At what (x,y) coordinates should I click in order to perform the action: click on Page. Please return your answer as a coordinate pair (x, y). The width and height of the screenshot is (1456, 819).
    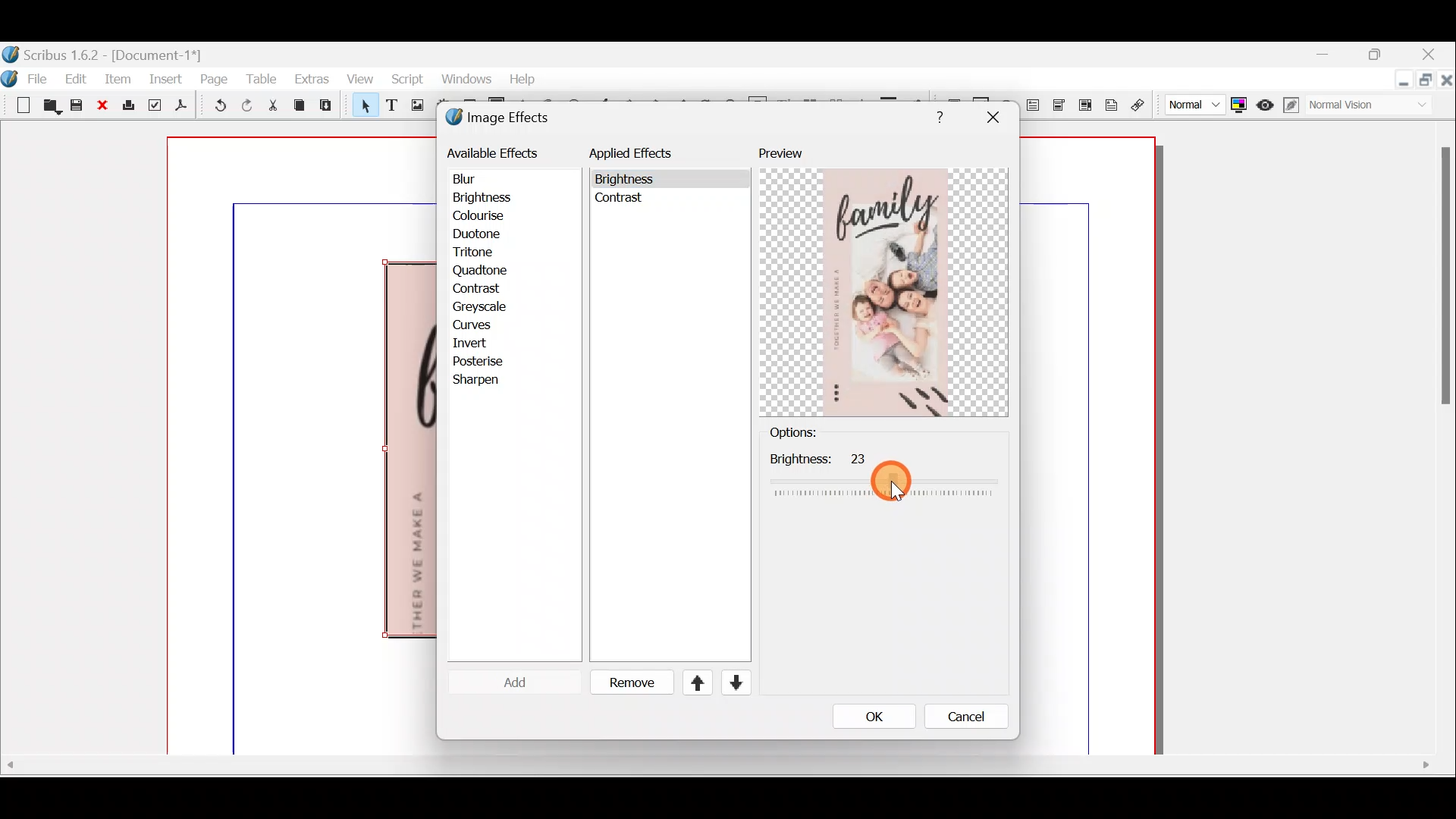
    Looking at the image, I should click on (215, 78).